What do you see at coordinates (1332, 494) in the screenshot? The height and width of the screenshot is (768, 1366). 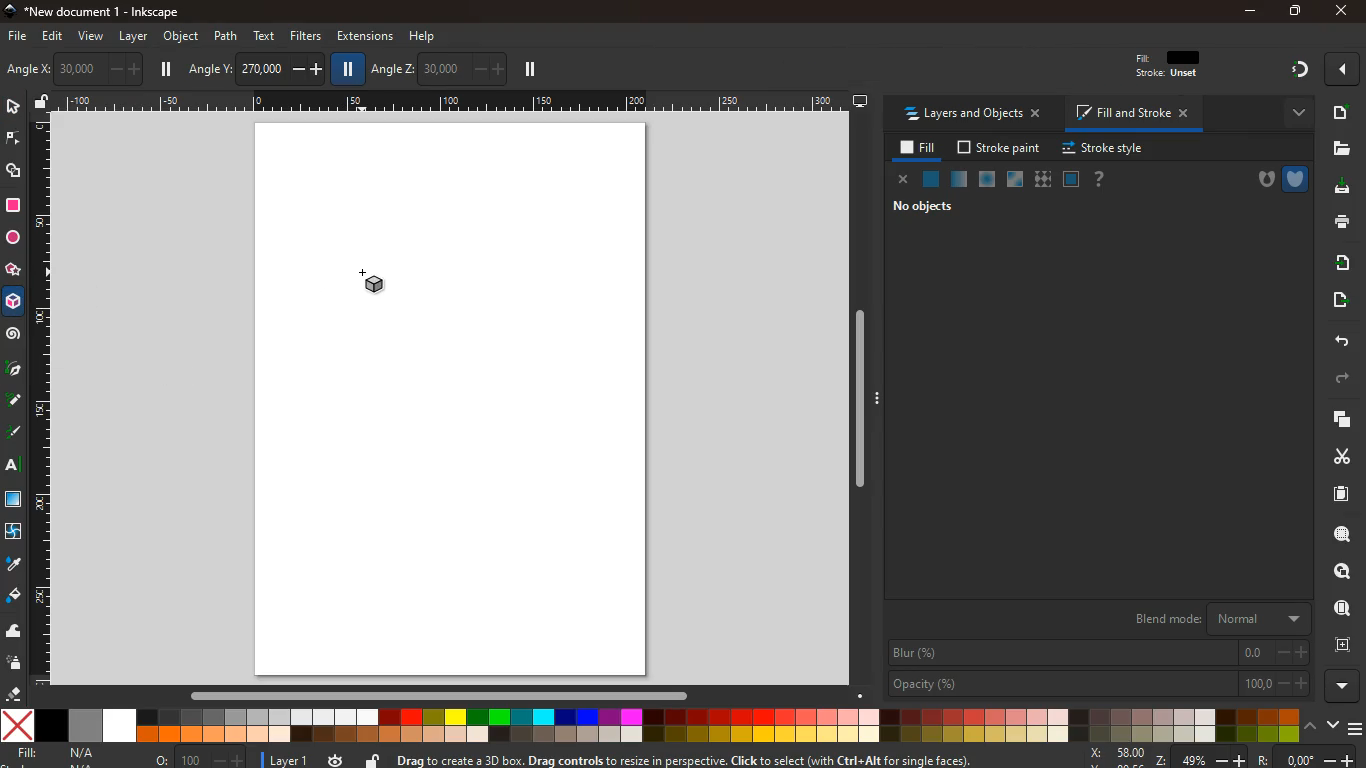 I see `paper` at bounding box center [1332, 494].